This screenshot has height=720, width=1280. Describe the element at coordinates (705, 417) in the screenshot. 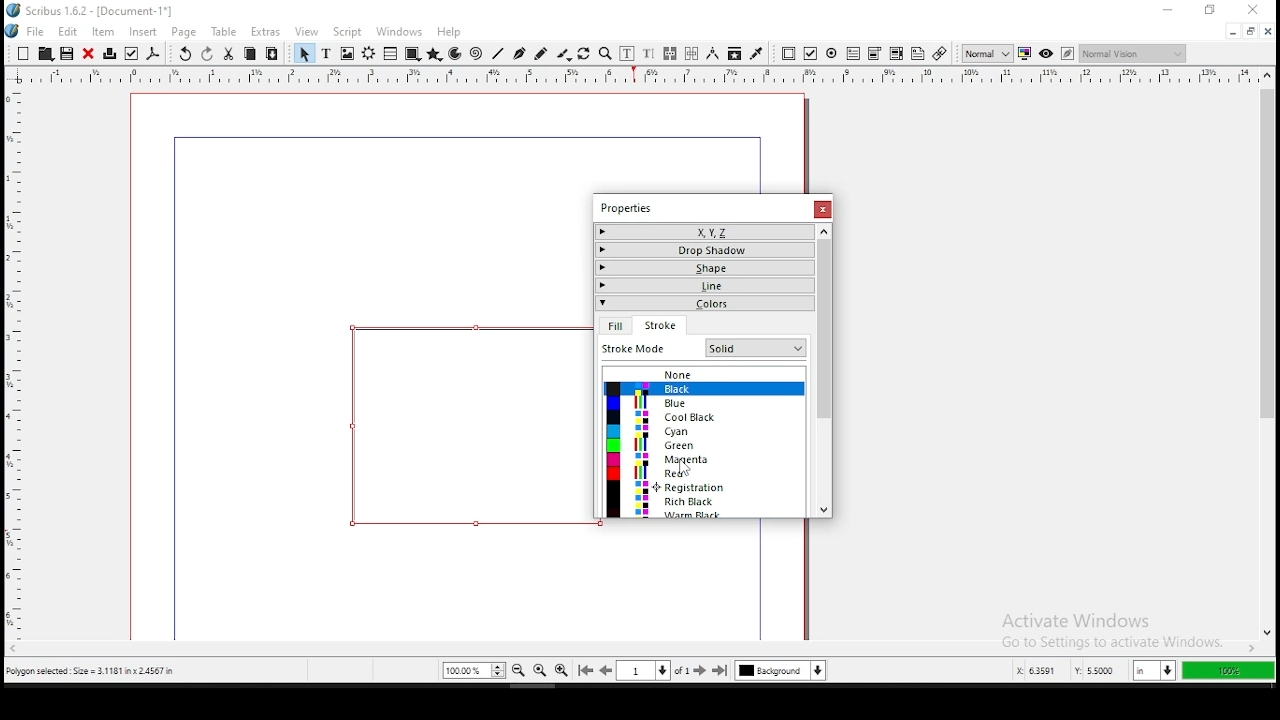

I see `cool black` at that location.